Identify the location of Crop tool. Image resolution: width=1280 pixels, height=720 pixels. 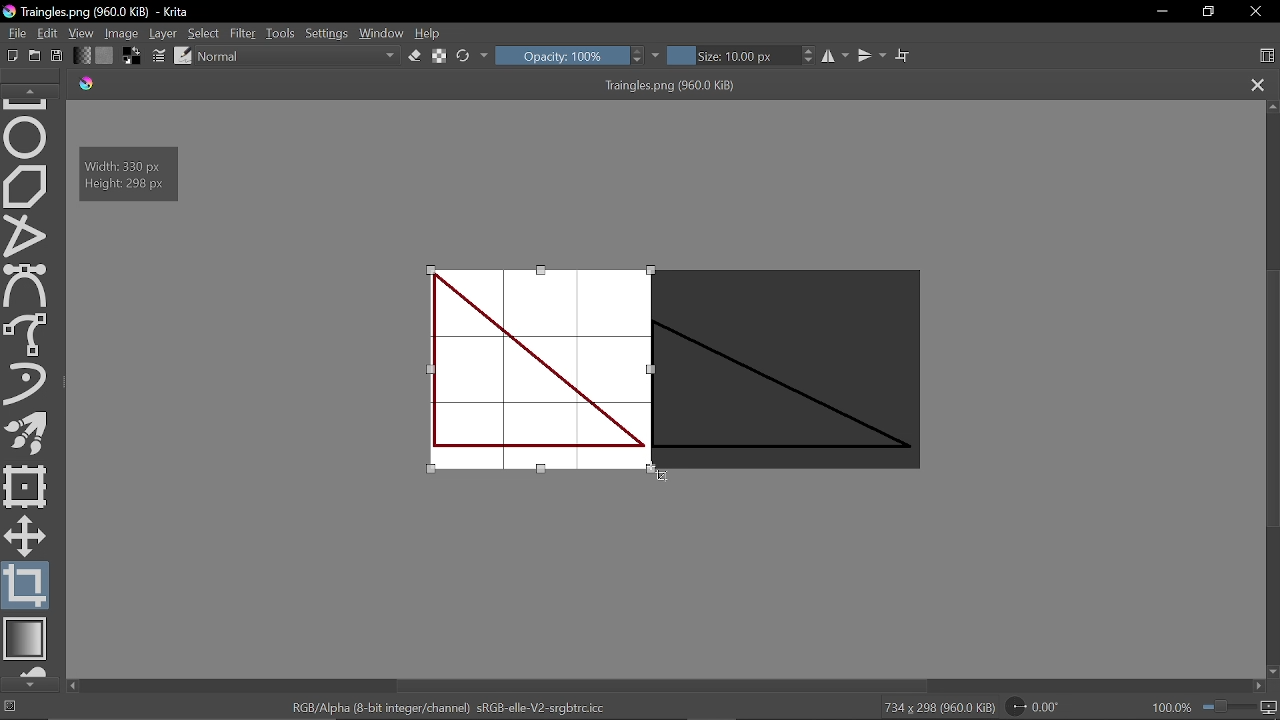
(26, 586).